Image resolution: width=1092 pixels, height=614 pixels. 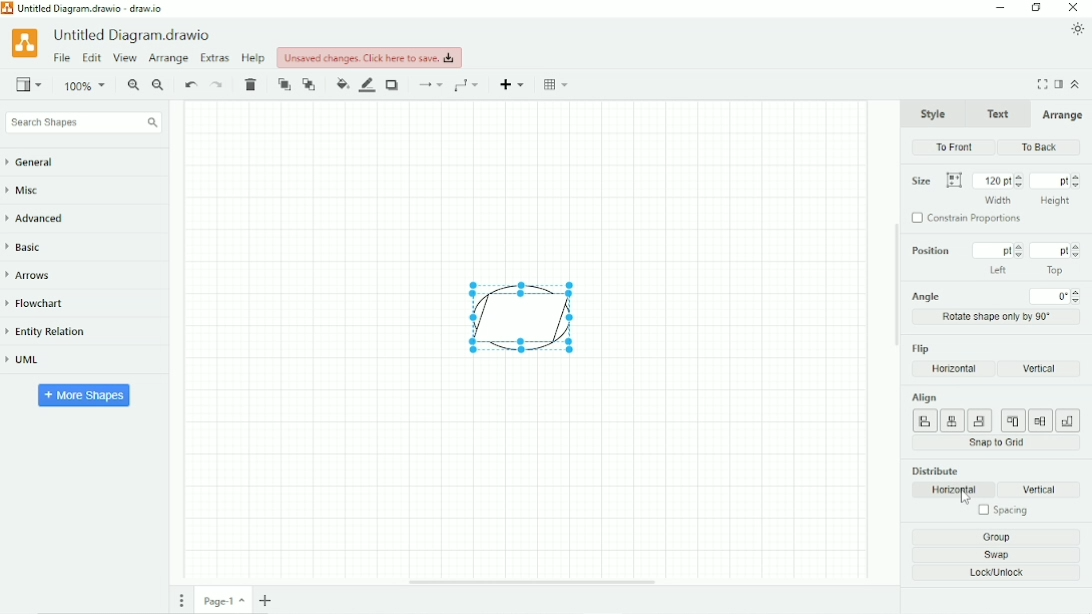 What do you see at coordinates (40, 163) in the screenshot?
I see `General` at bounding box center [40, 163].